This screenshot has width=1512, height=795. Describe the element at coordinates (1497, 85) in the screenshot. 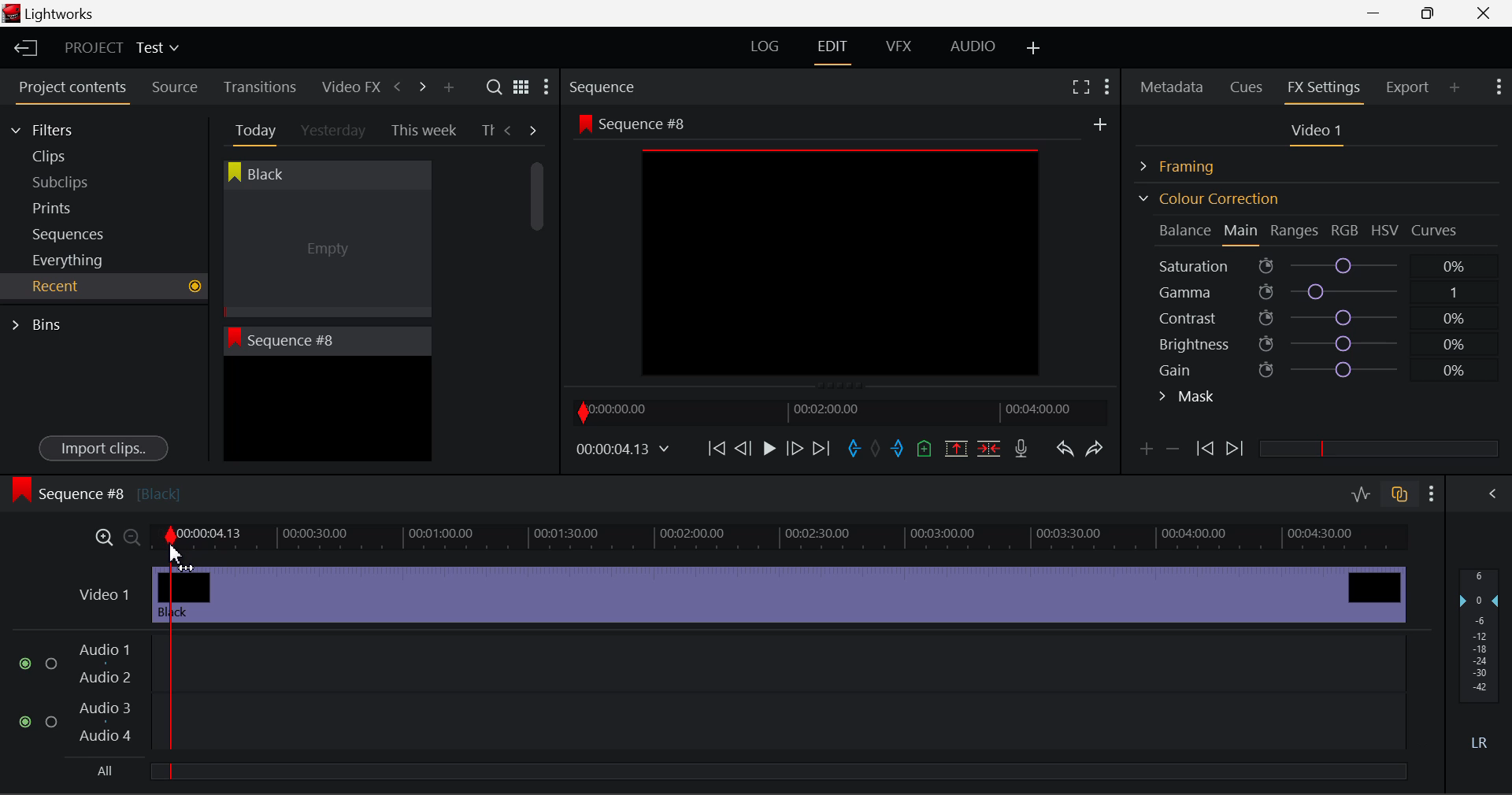

I see `Show Settings` at that location.